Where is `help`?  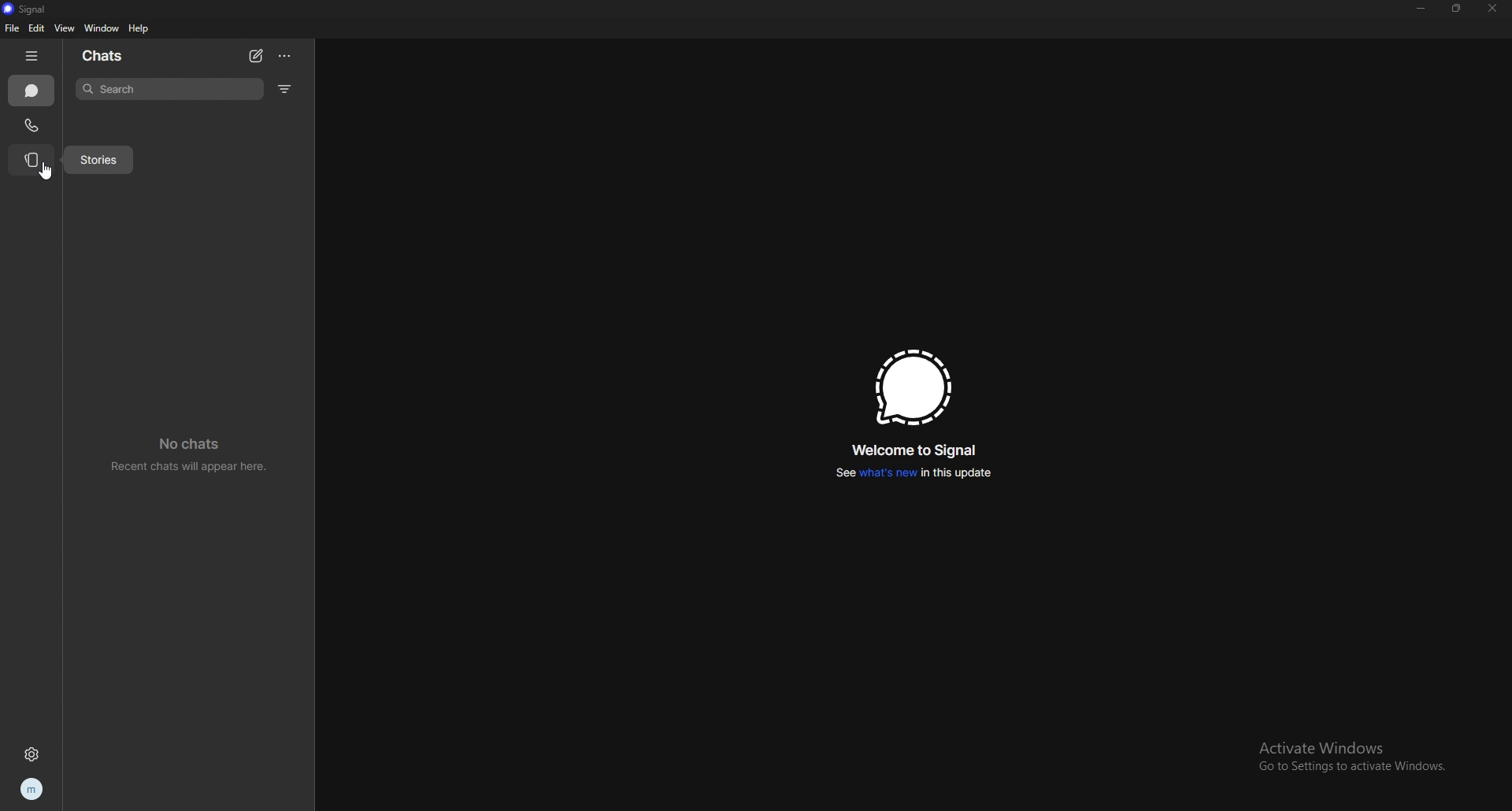 help is located at coordinates (139, 28).